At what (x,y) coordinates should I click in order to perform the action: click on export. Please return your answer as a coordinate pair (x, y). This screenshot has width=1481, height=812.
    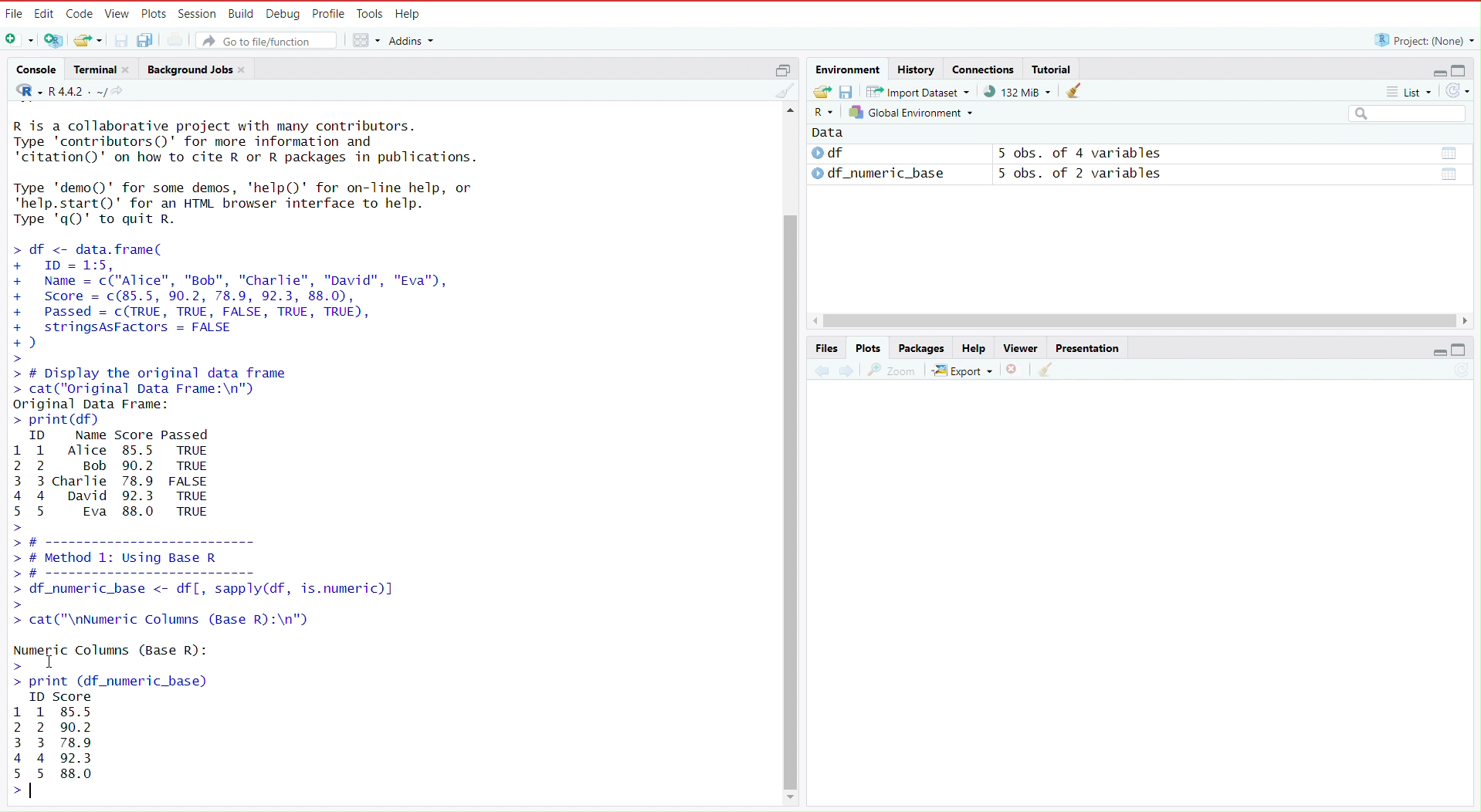
    Looking at the image, I should click on (963, 370).